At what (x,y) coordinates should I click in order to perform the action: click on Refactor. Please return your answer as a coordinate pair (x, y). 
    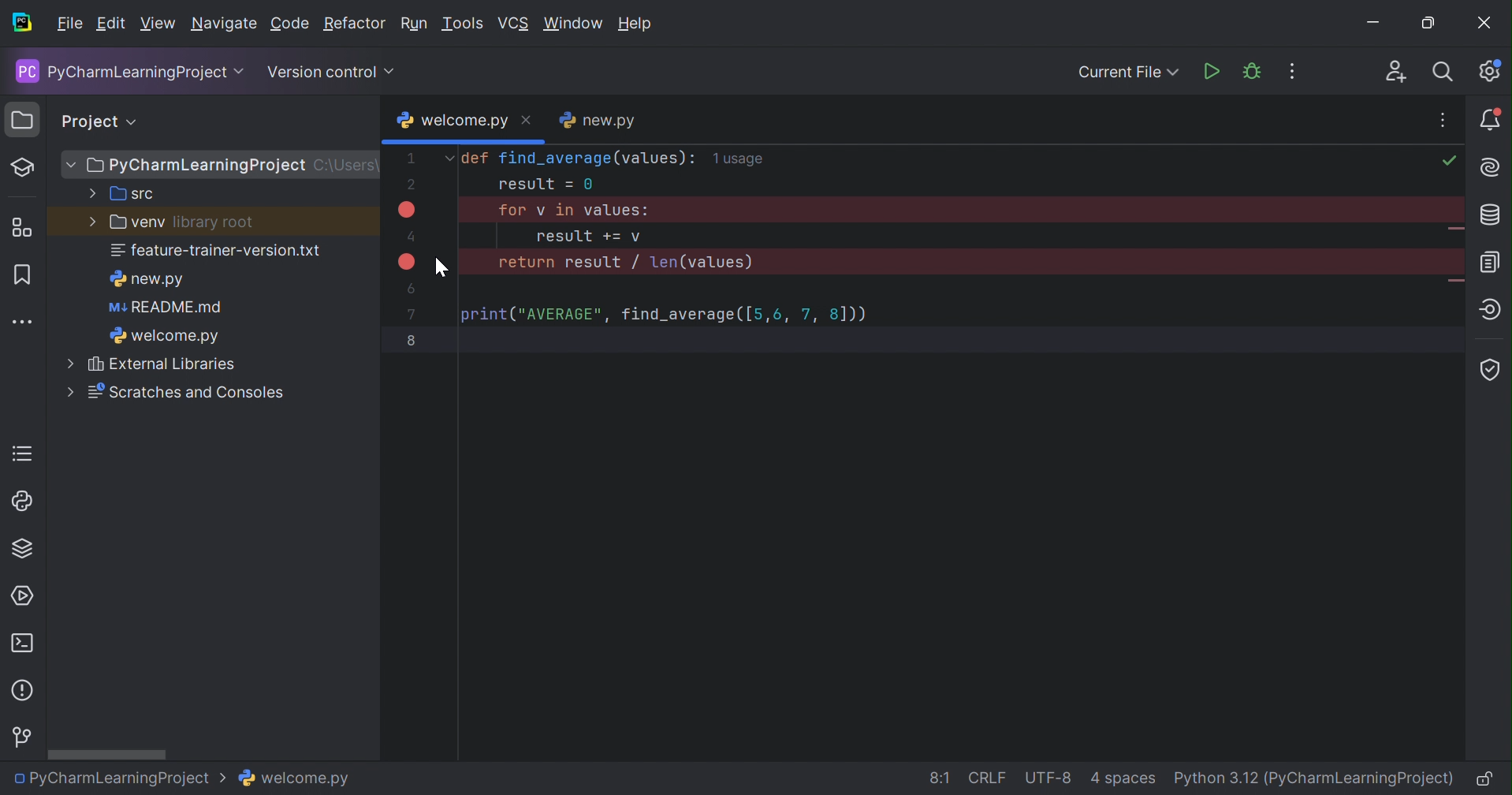
    Looking at the image, I should click on (356, 24).